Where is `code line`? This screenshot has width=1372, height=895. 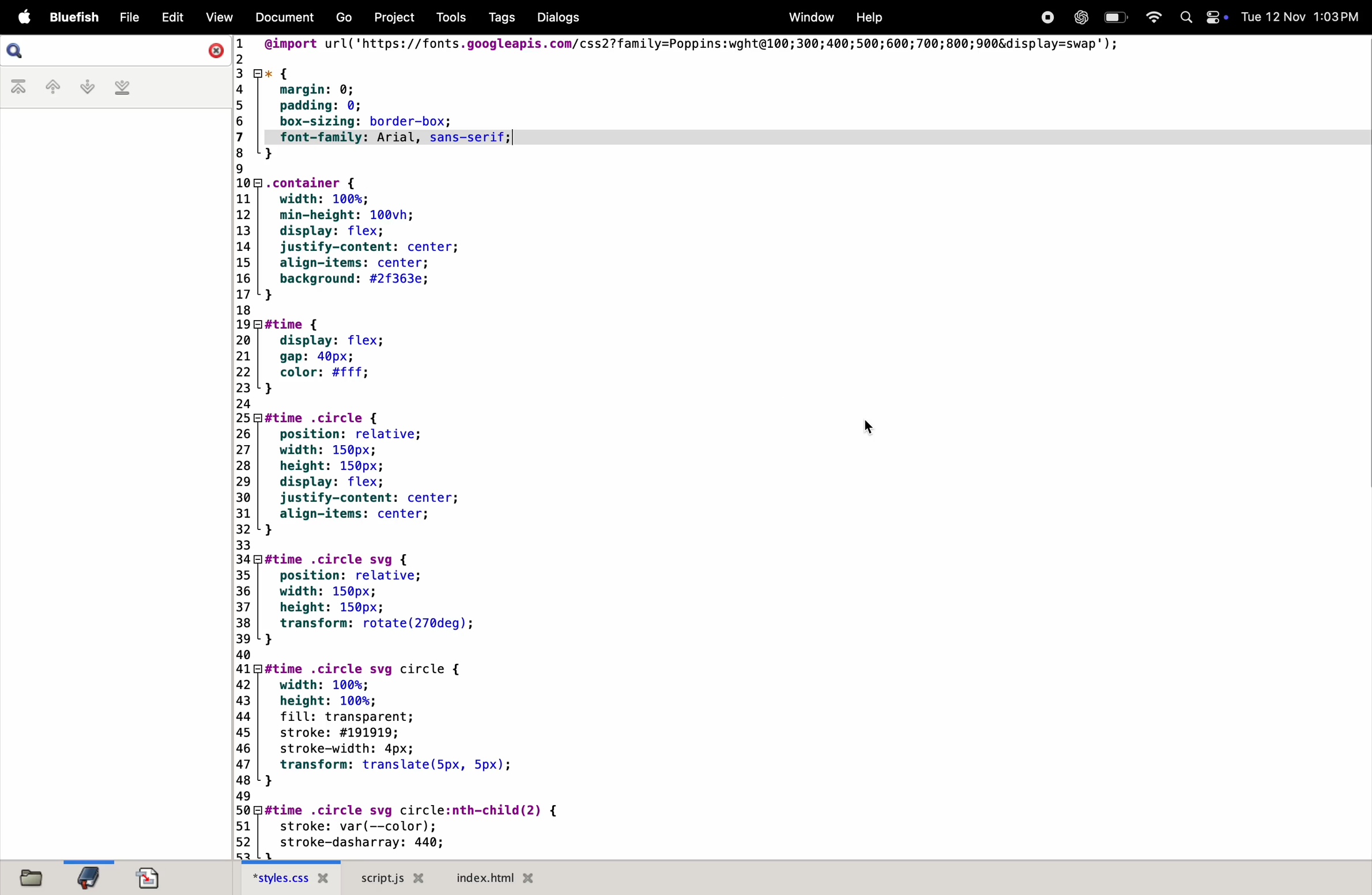 code line is located at coordinates (246, 448).